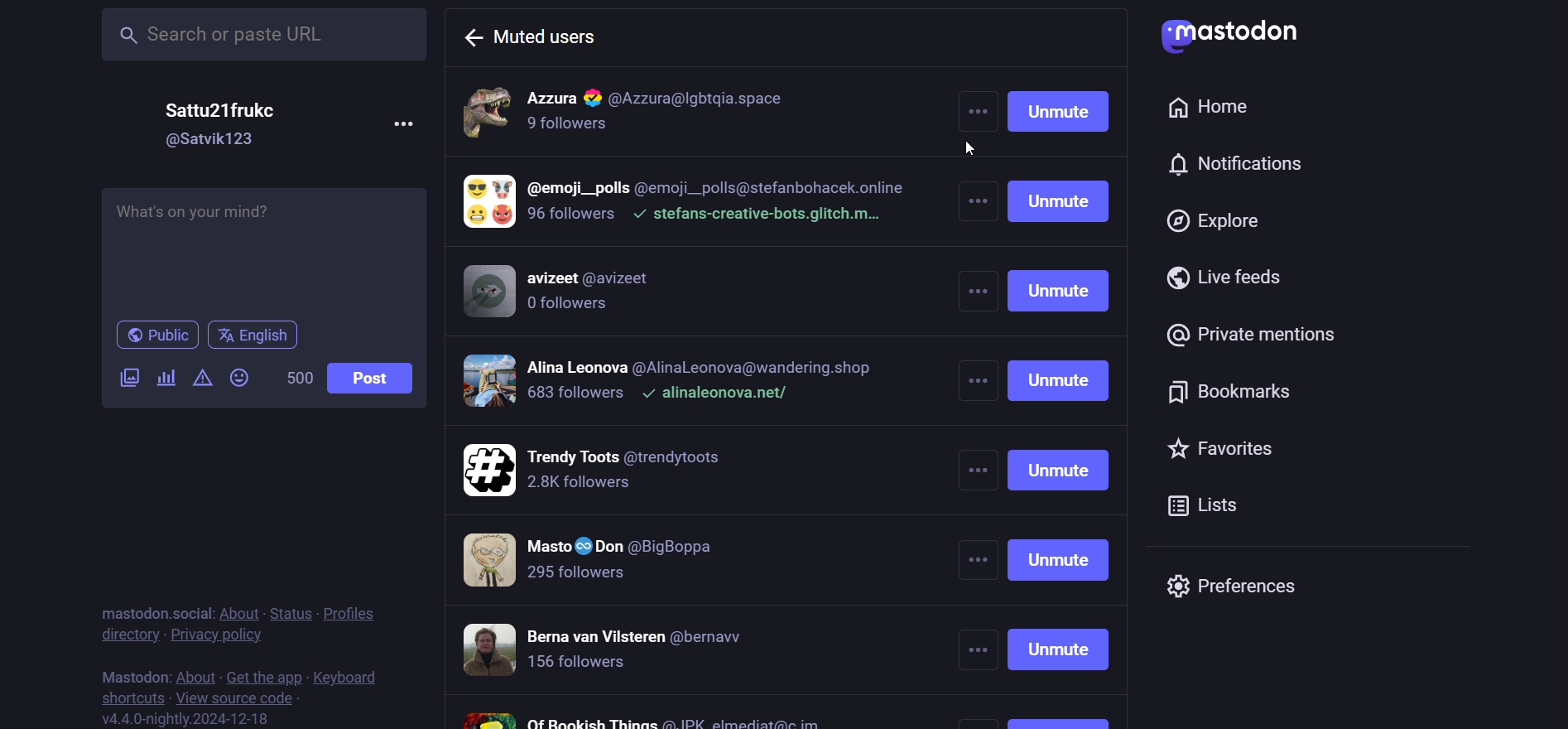 The image size is (1568, 729). I want to click on content warning, so click(202, 376).